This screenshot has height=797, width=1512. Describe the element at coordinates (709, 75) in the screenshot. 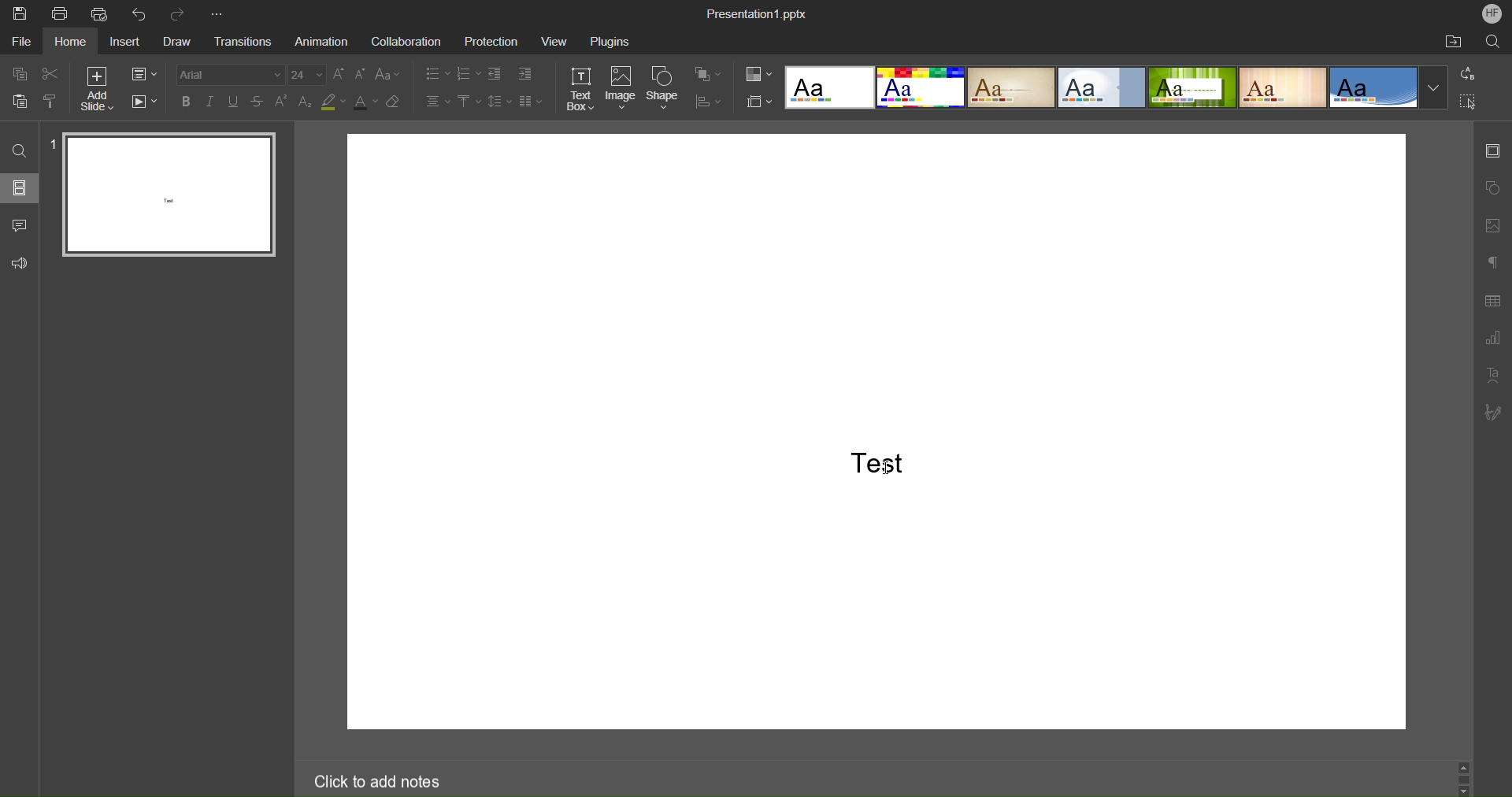

I see `Arrange` at that location.